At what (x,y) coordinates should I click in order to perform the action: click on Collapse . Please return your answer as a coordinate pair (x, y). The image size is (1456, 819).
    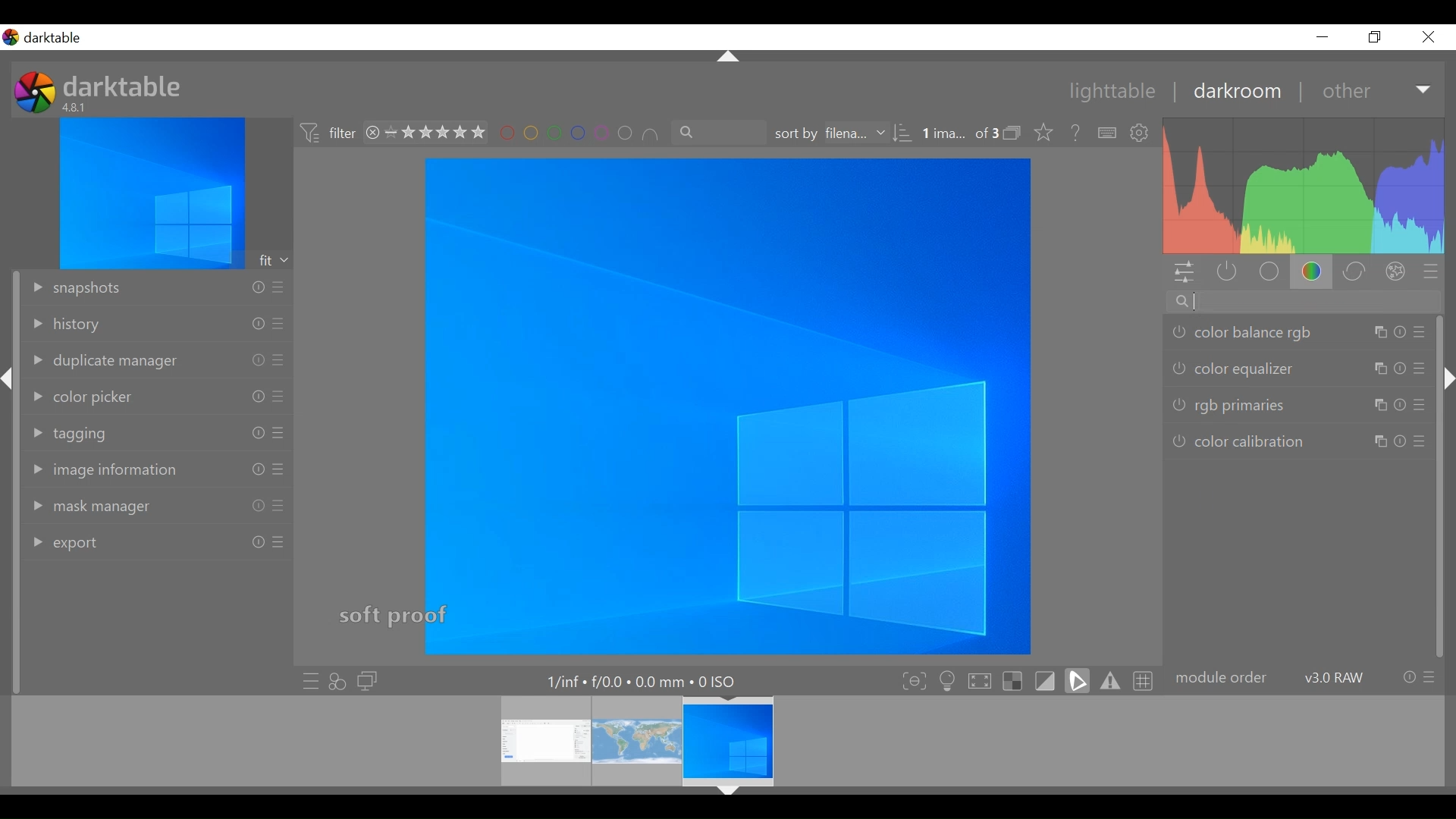
    Looking at the image, I should click on (728, 792).